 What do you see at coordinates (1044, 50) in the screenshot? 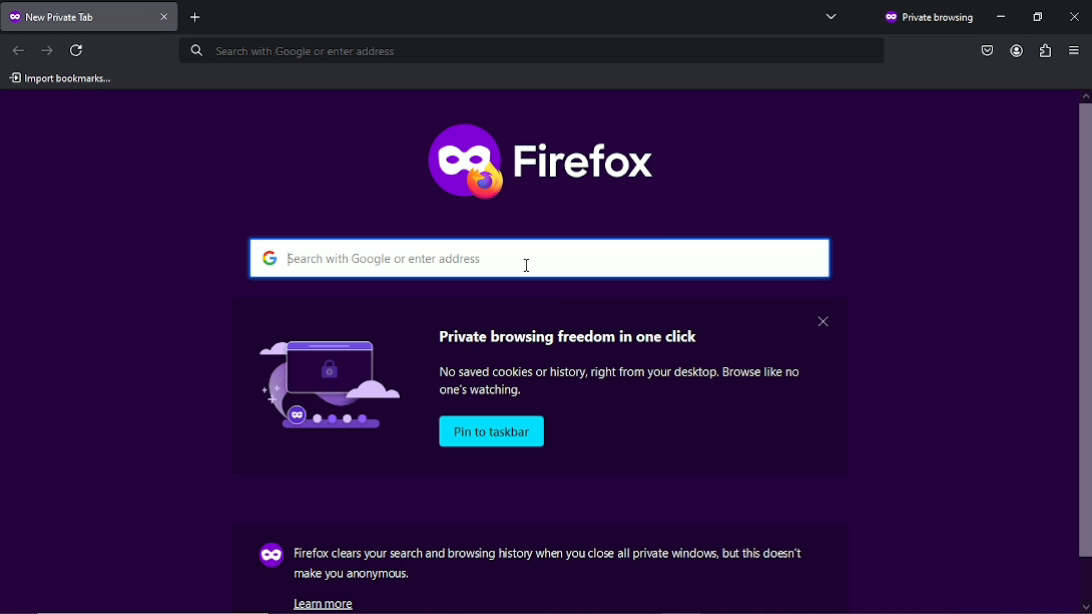
I see `extensions` at bounding box center [1044, 50].